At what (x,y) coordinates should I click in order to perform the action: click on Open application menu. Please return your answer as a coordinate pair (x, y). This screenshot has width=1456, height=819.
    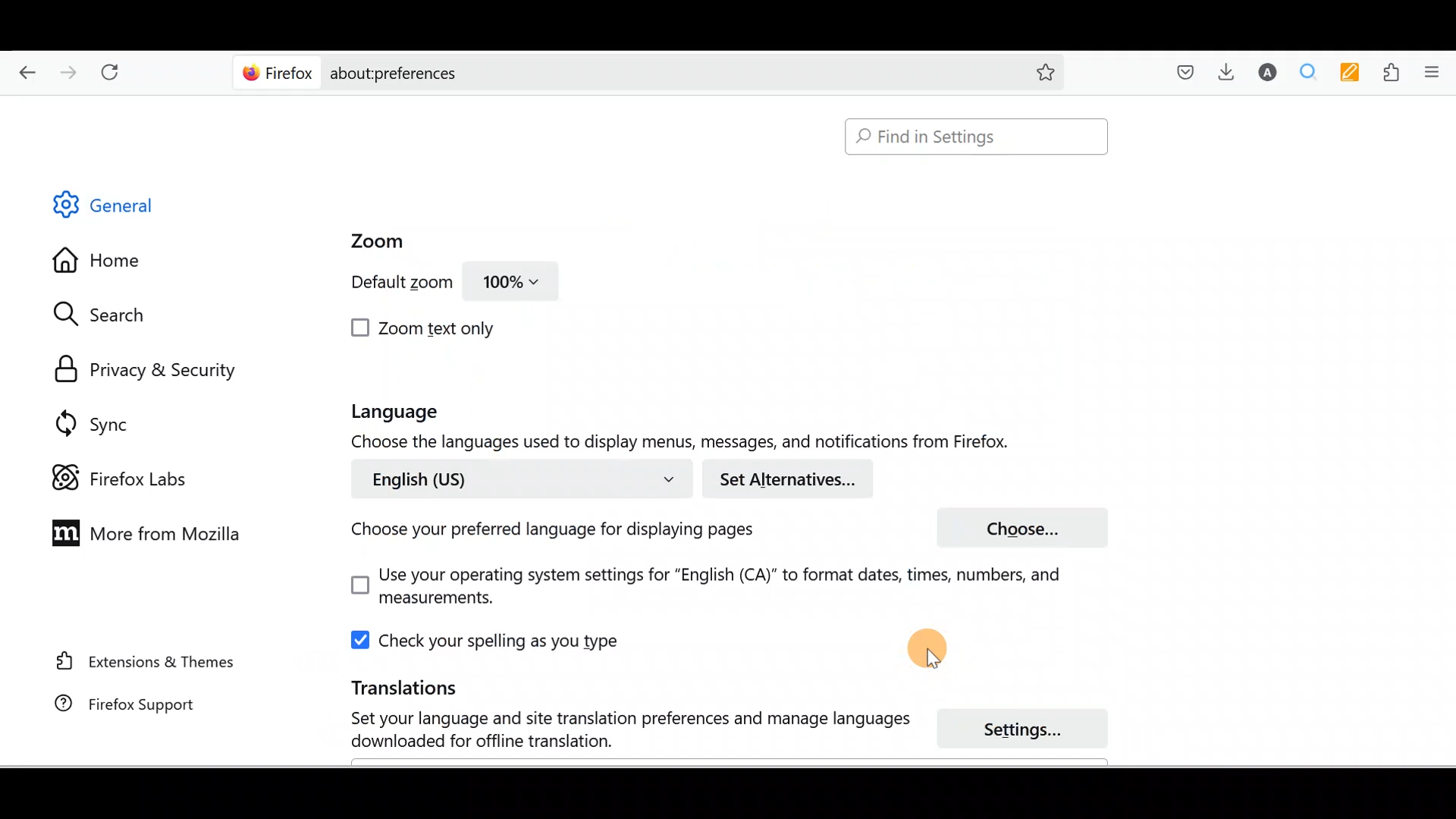
    Looking at the image, I should click on (1437, 71).